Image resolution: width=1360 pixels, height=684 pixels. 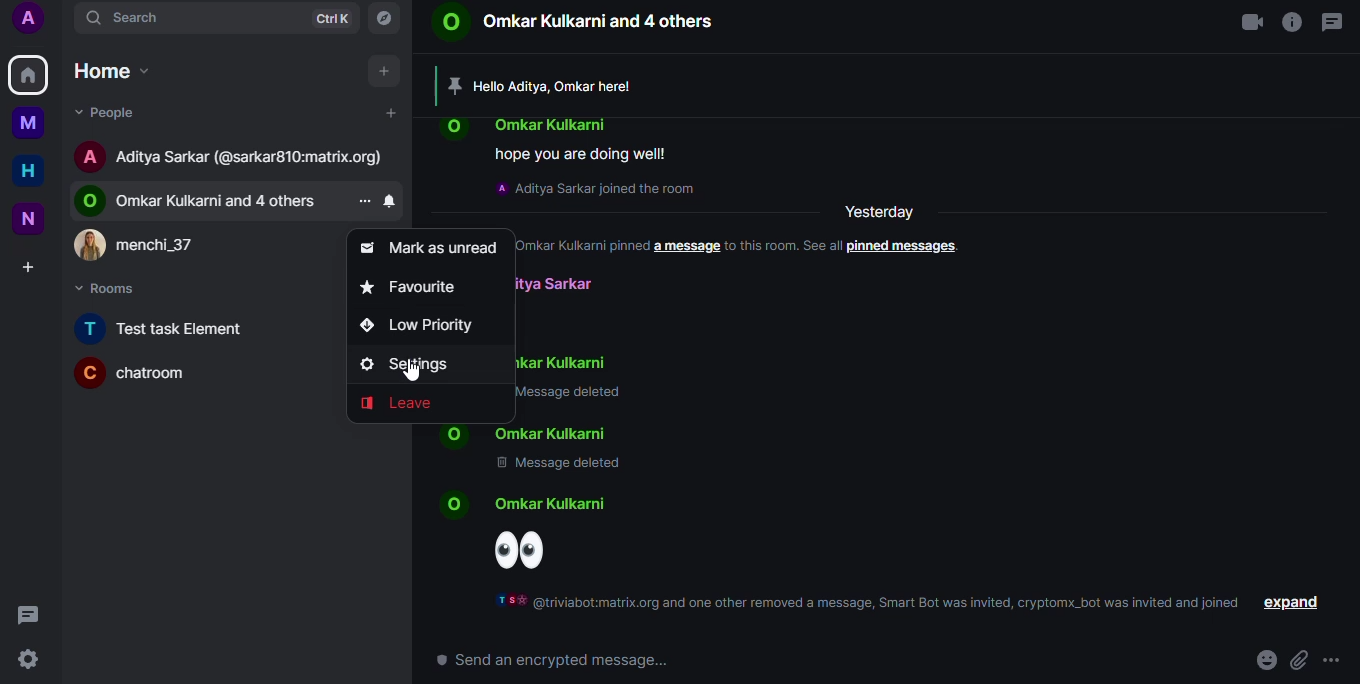 What do you see at coordinates (1334, 22) in the screenshot?
I see `message` at bounding box center [1334, 22].